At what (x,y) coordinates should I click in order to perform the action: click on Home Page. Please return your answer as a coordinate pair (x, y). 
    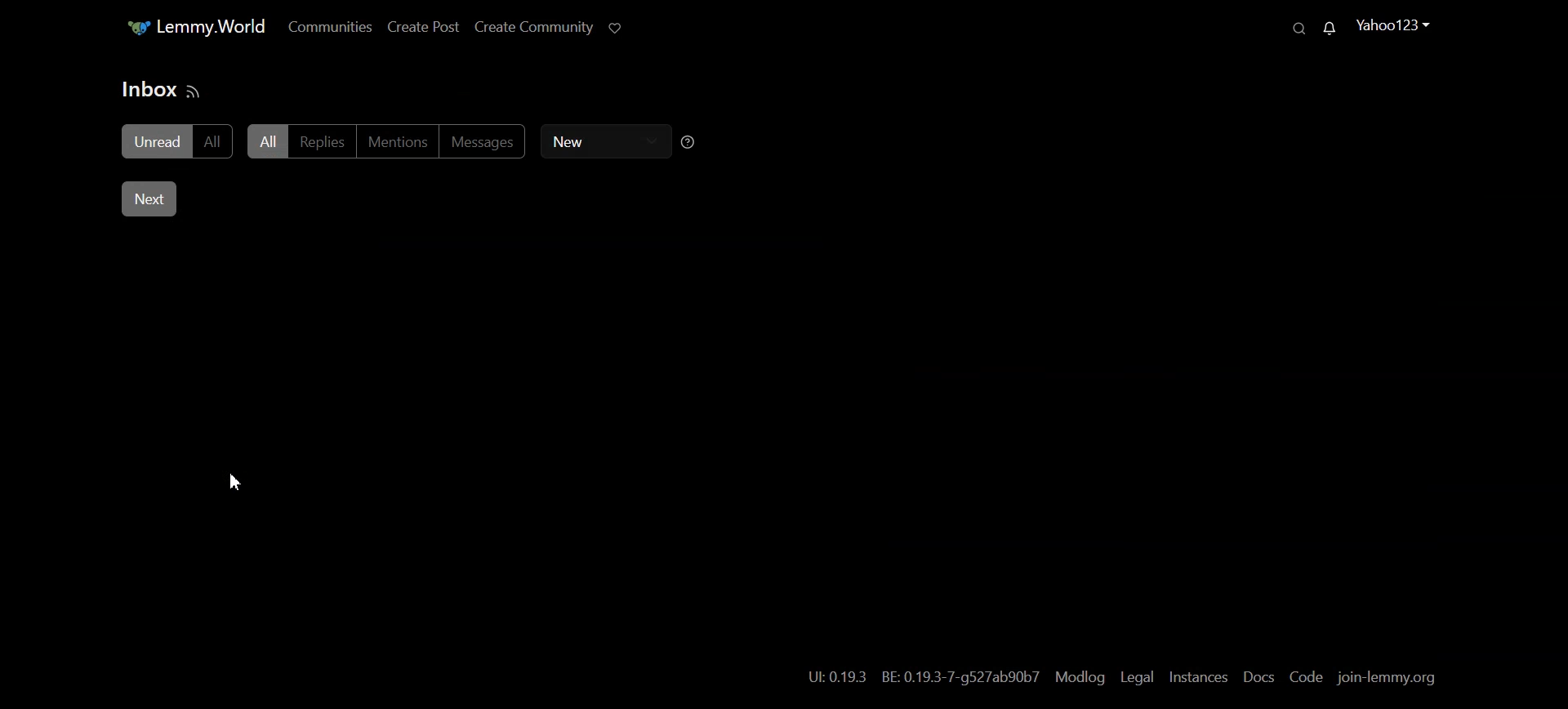
    Looking at the image, I should click on (187, 25).